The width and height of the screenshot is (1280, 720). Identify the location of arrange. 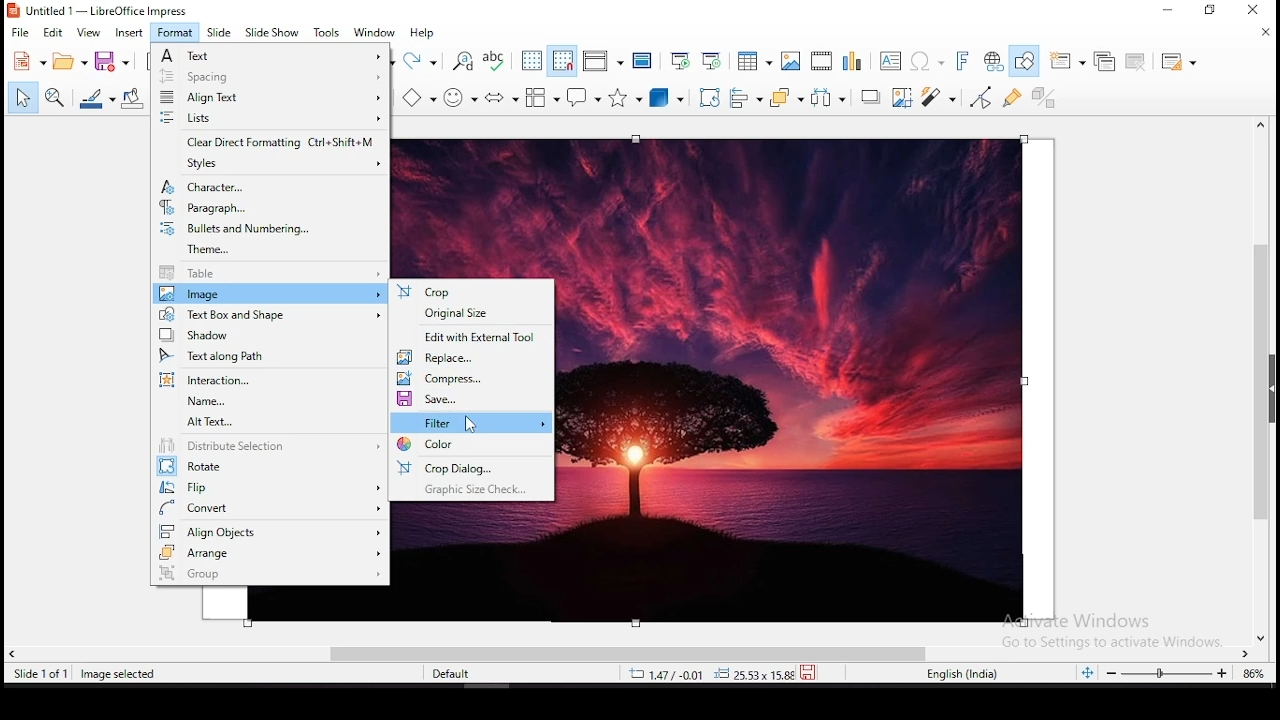
(270, 553).